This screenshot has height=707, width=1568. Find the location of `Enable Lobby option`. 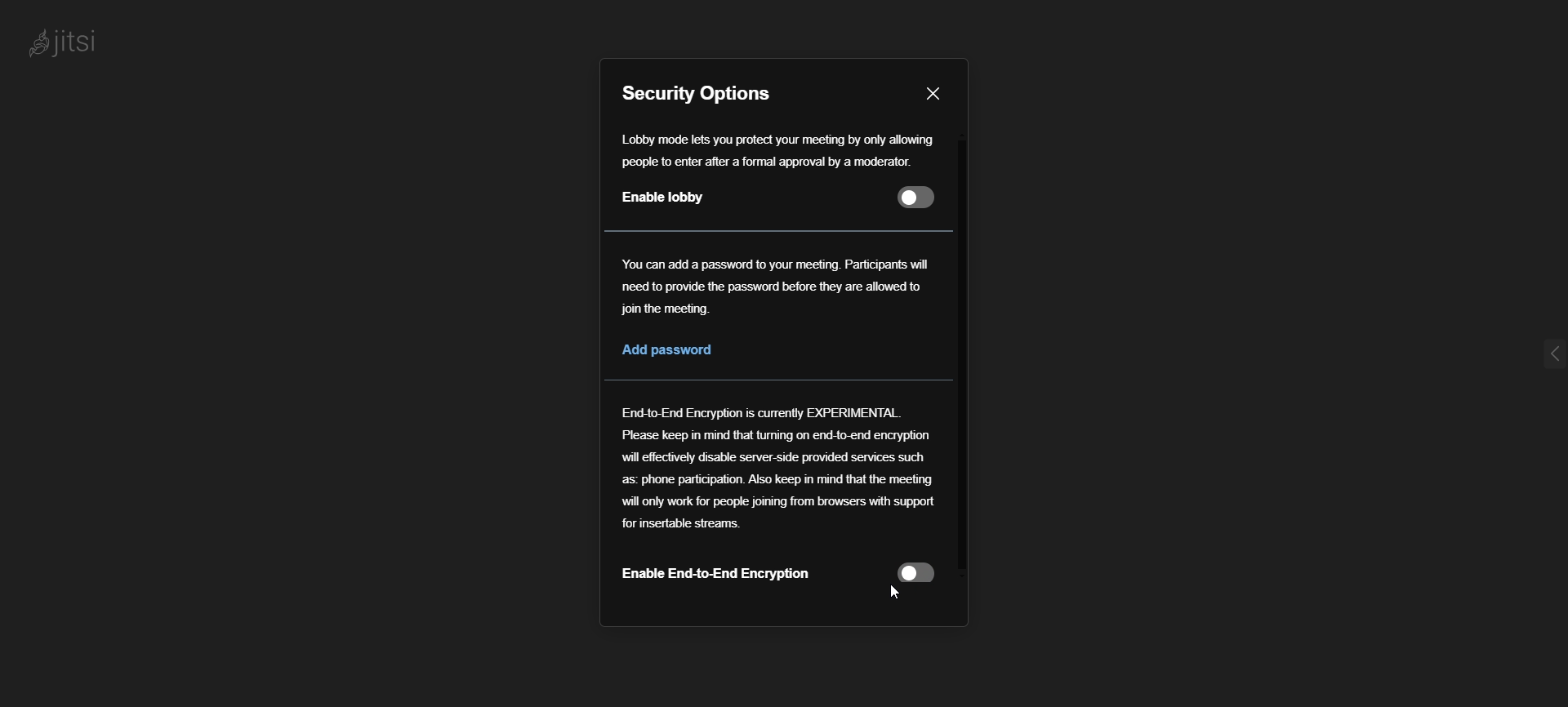

Enable Lobby option is located at coordinates (782, 201).